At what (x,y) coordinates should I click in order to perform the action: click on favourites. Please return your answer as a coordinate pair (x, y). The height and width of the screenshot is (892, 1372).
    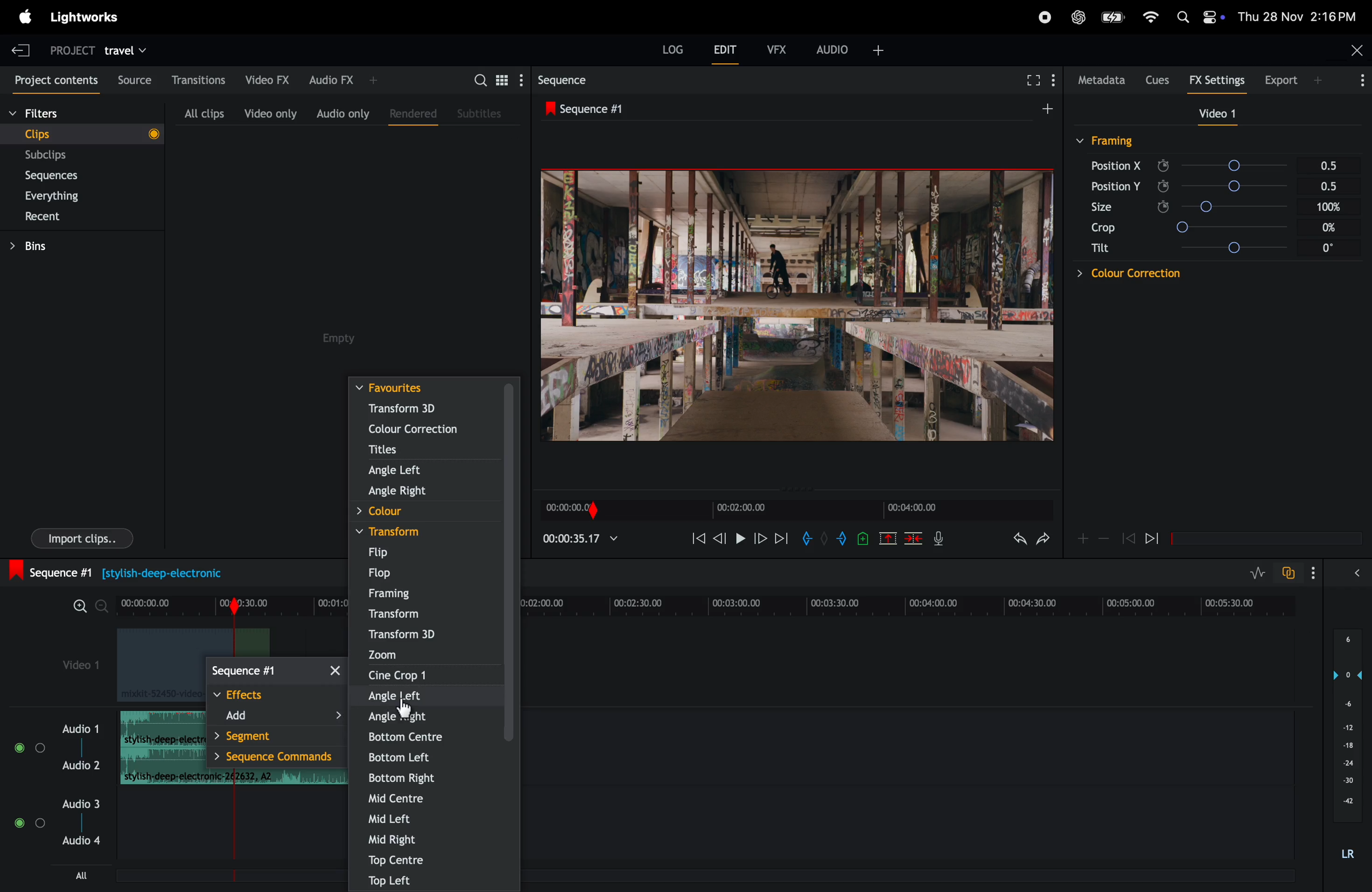
    Looking at the image, I should click on (435, 388).